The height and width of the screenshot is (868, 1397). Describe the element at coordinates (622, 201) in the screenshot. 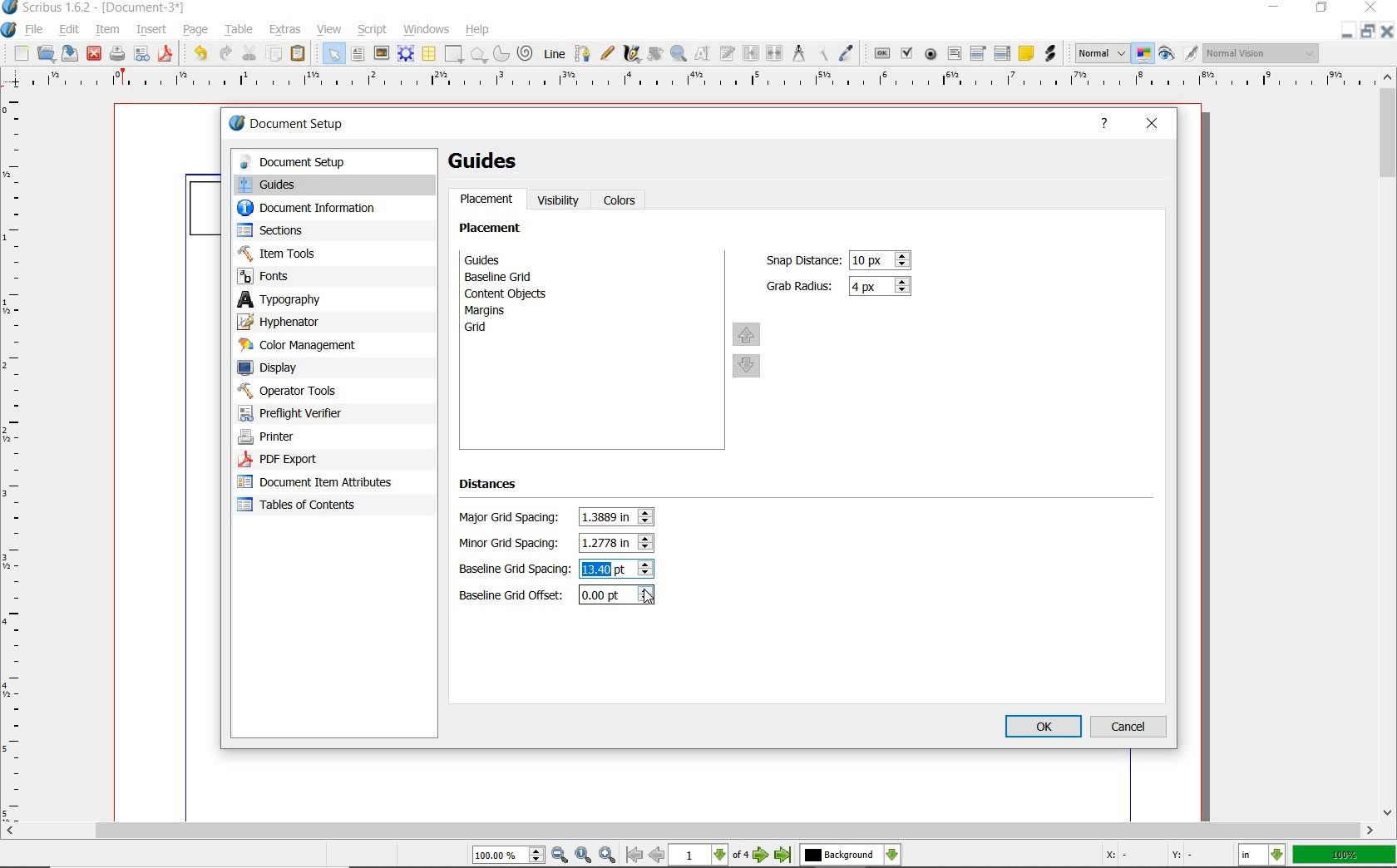

I see `colors` at that location.